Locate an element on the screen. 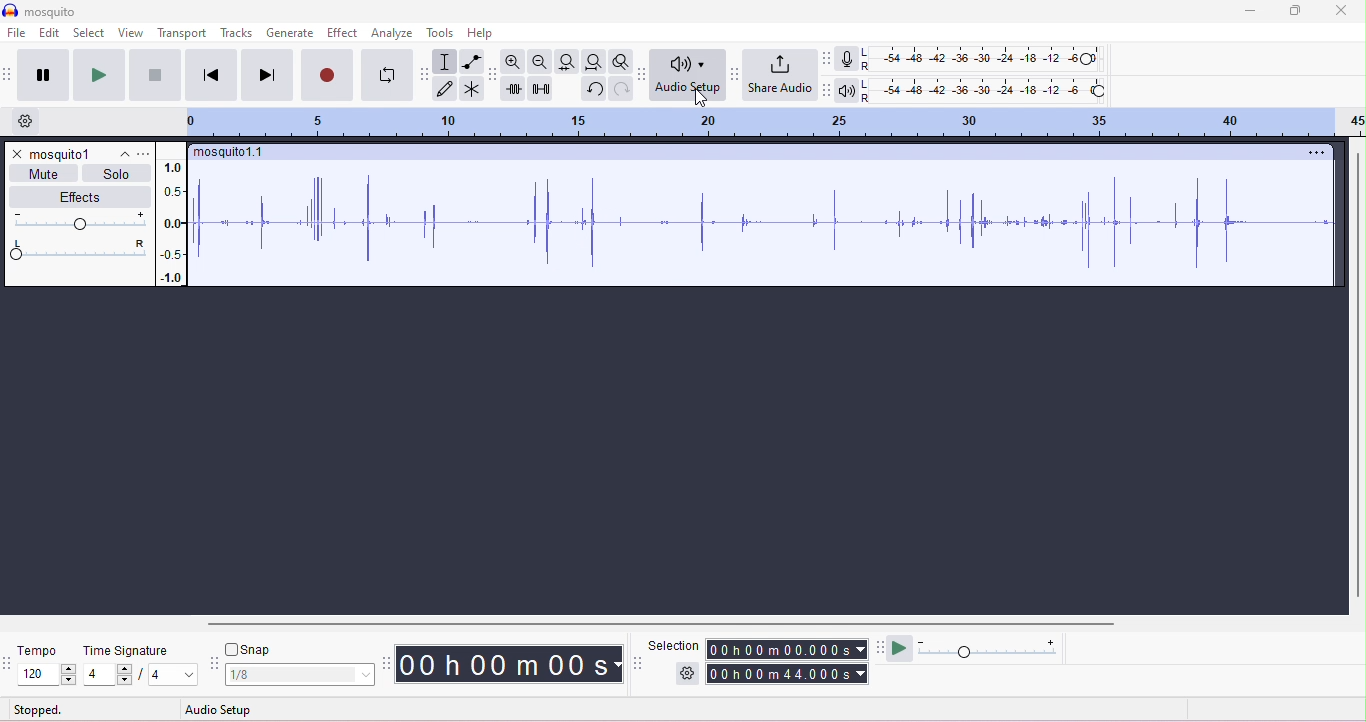 The width and height of the screenshot is (1366, 722). selection time is located at coordinates (789, 649).